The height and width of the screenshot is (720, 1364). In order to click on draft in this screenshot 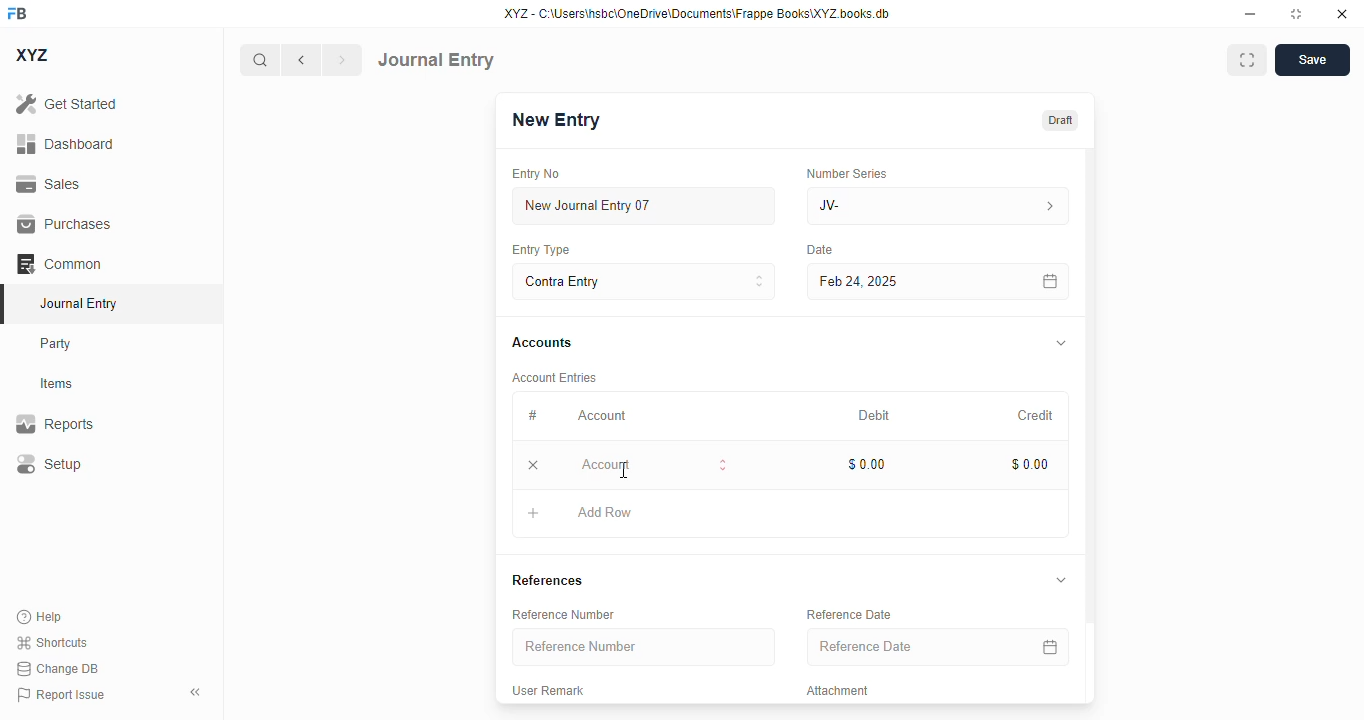, I will do `click(1061, 119)`.